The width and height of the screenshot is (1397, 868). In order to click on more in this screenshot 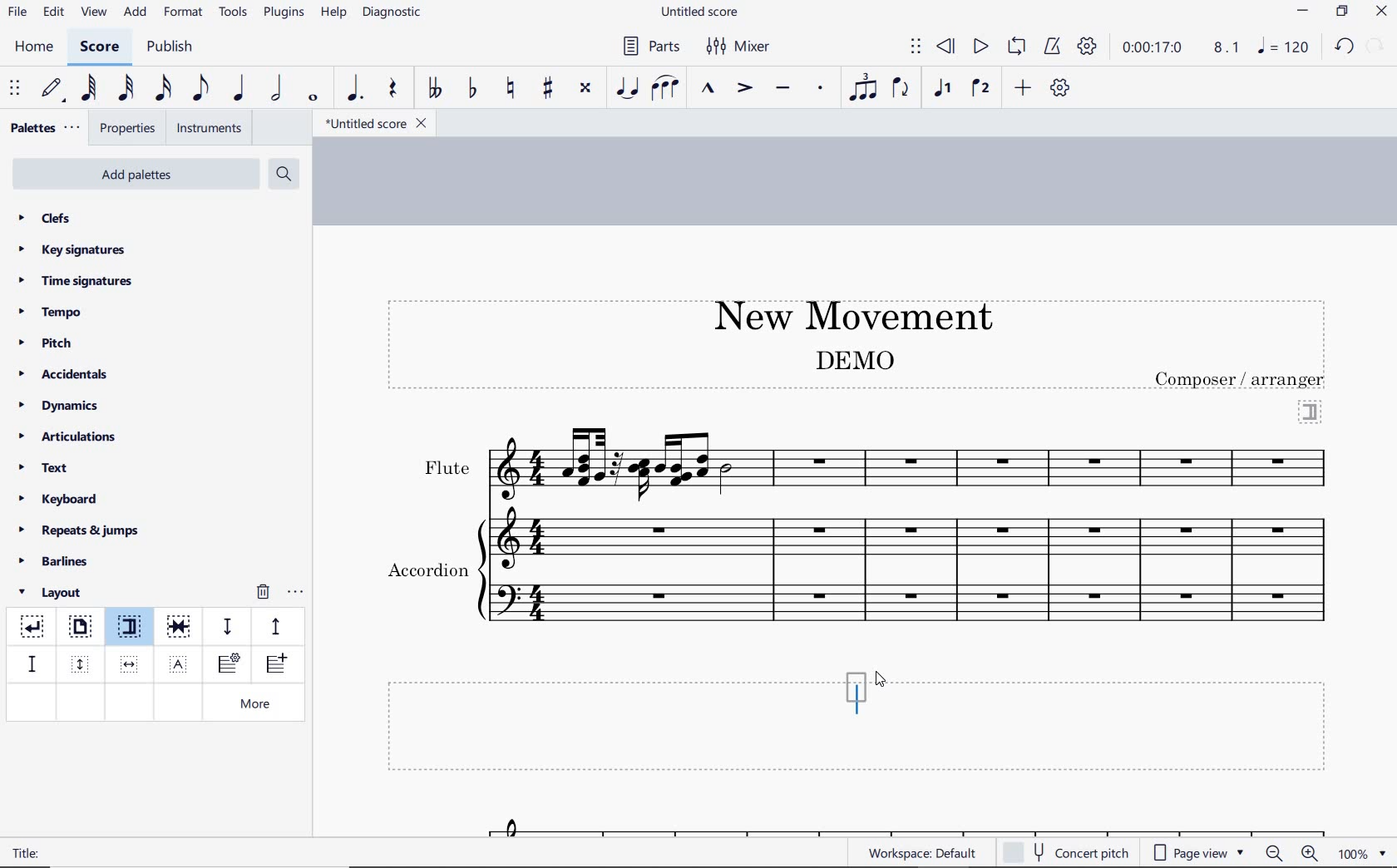, I will do `click(259, 705)`.